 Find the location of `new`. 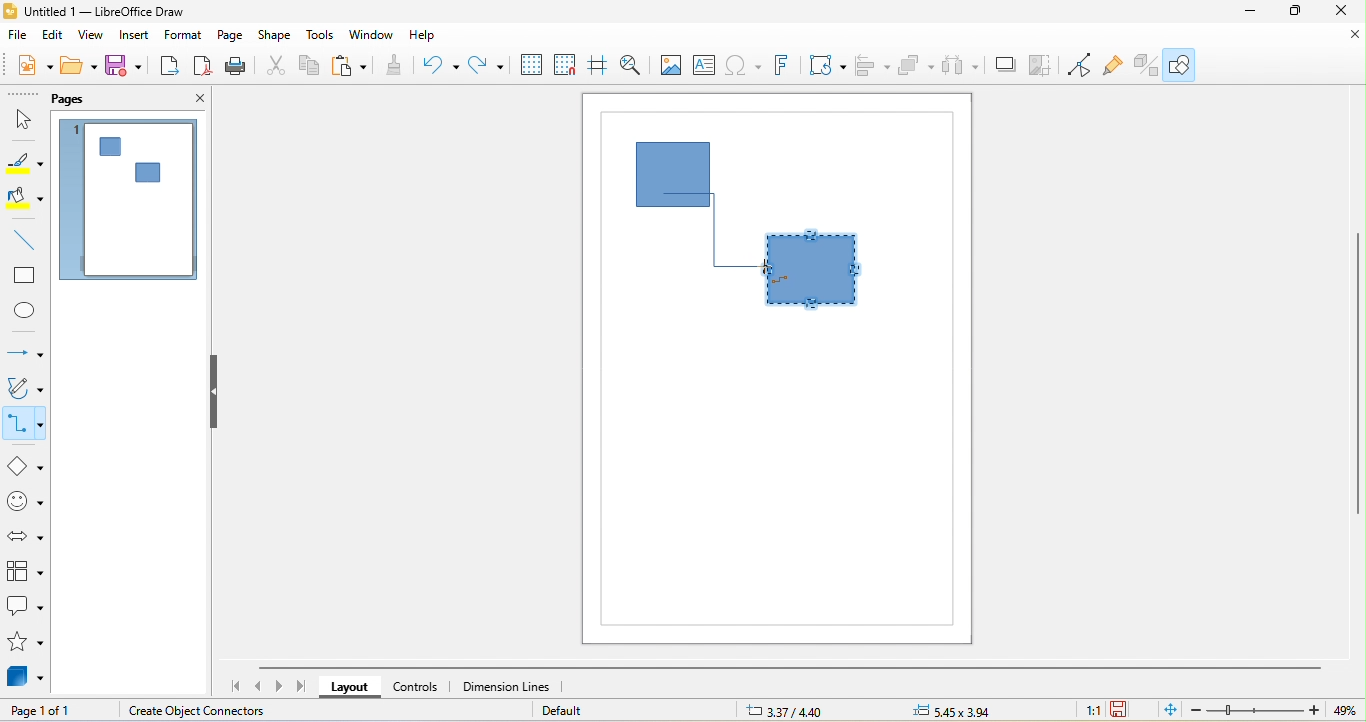

new is located at coordinates (34, 67).